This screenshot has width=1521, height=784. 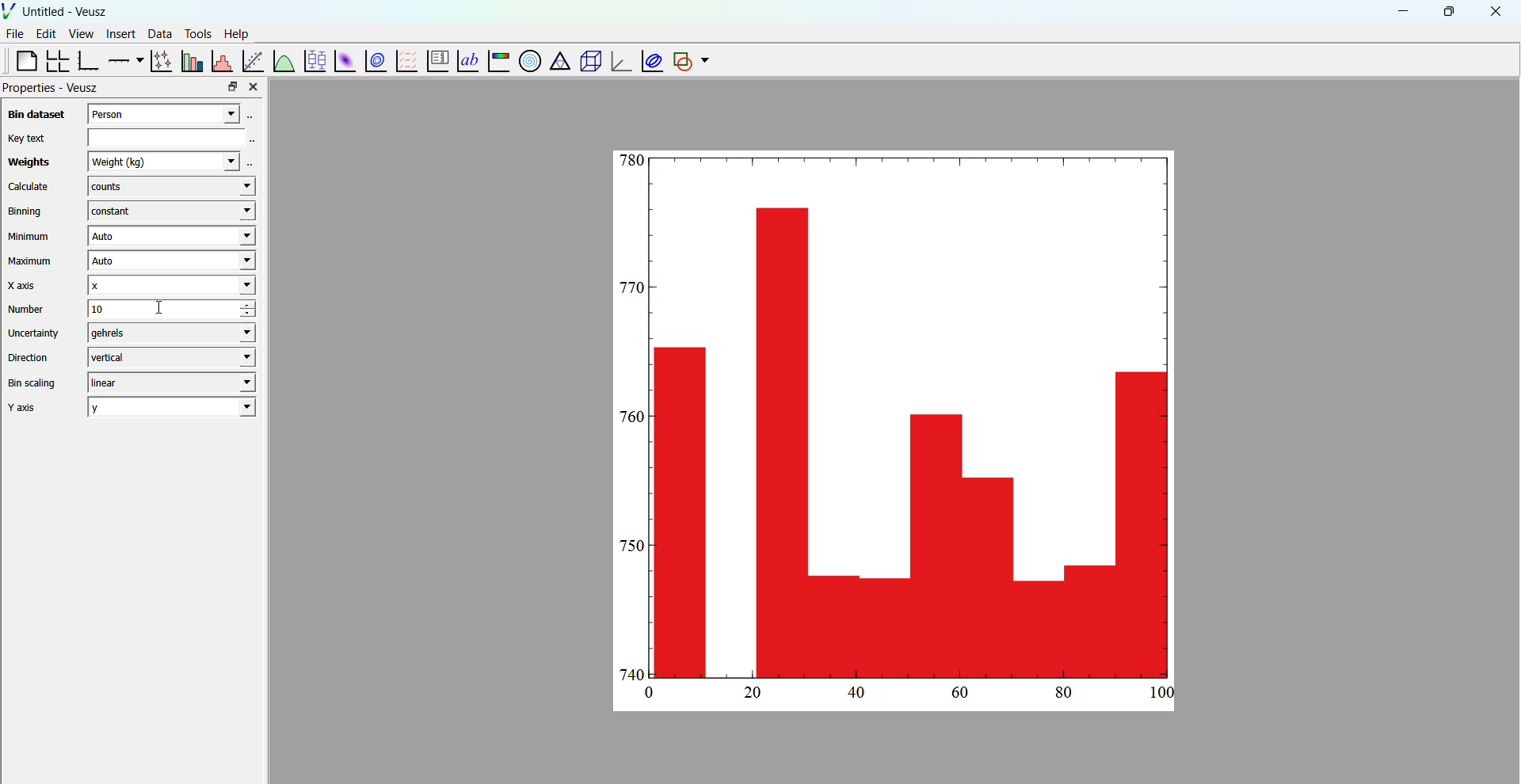 What do you see at coordinates (1401, 10) in the screenshot?
I see `minimize` at bounding box center [1401, 10].